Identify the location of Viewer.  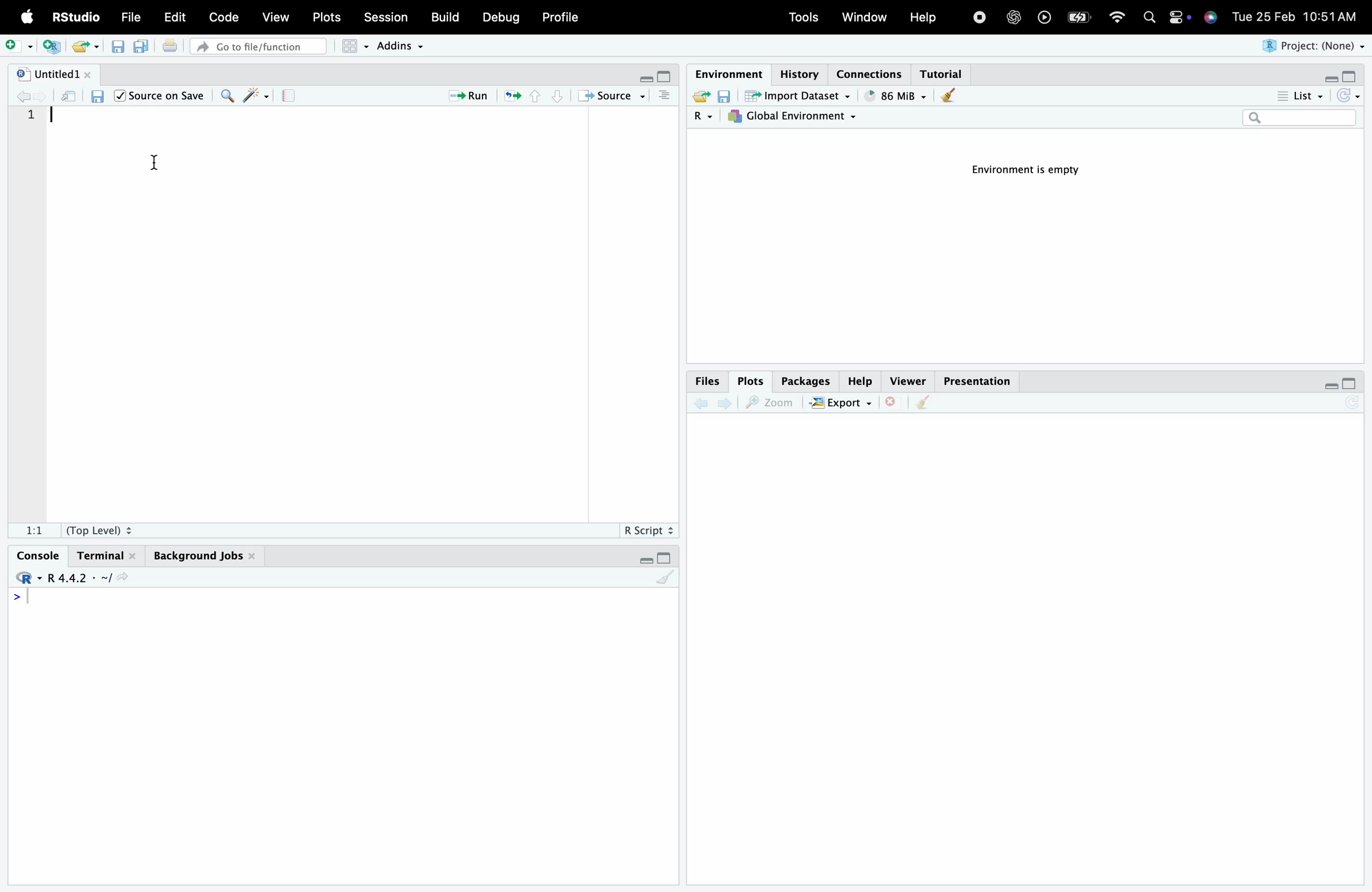
(907, 379).